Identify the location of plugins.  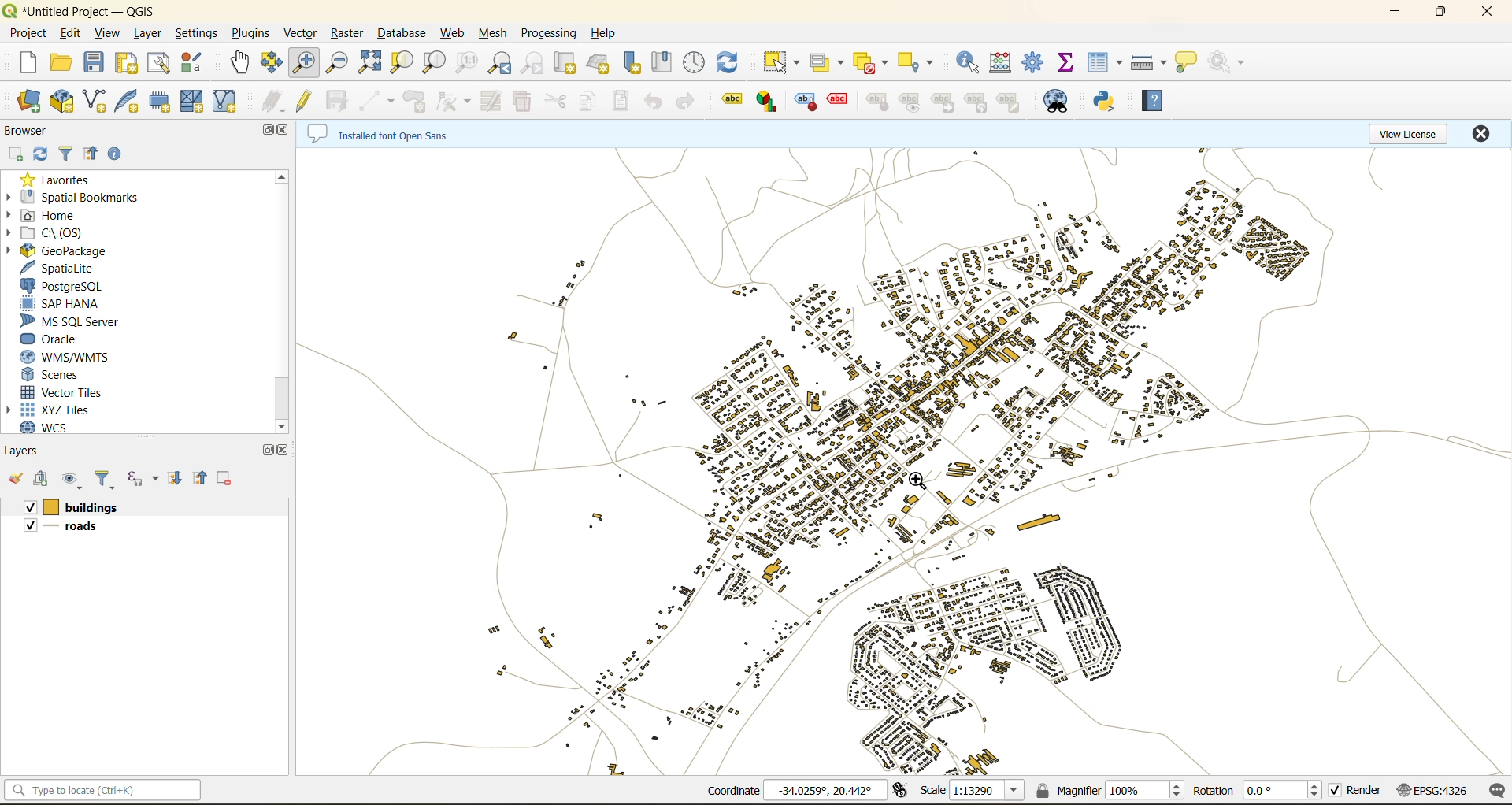
(249, 34).